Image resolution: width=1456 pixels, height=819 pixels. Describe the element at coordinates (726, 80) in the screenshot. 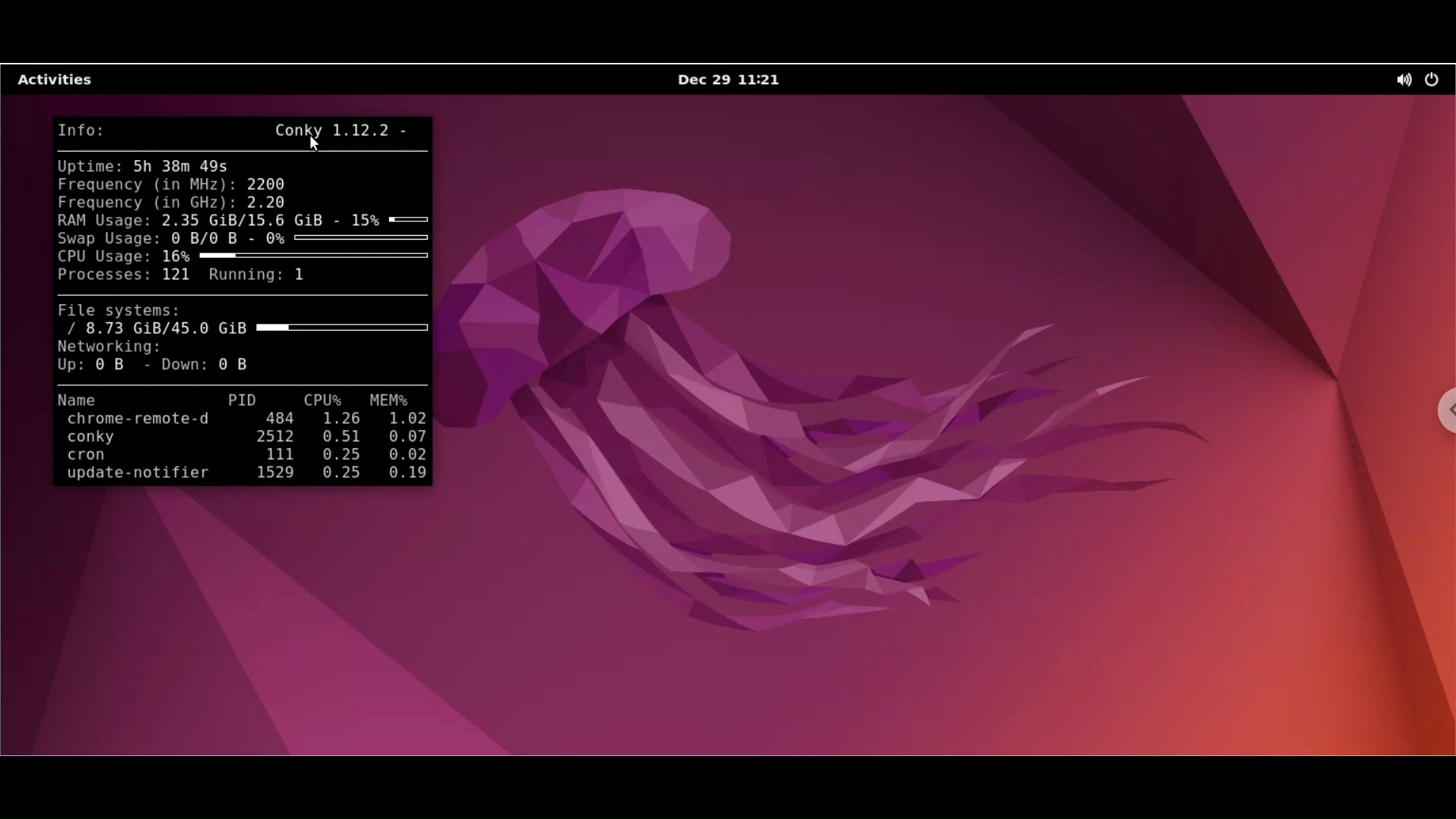

I see `Dec 29 11:21` at that location.